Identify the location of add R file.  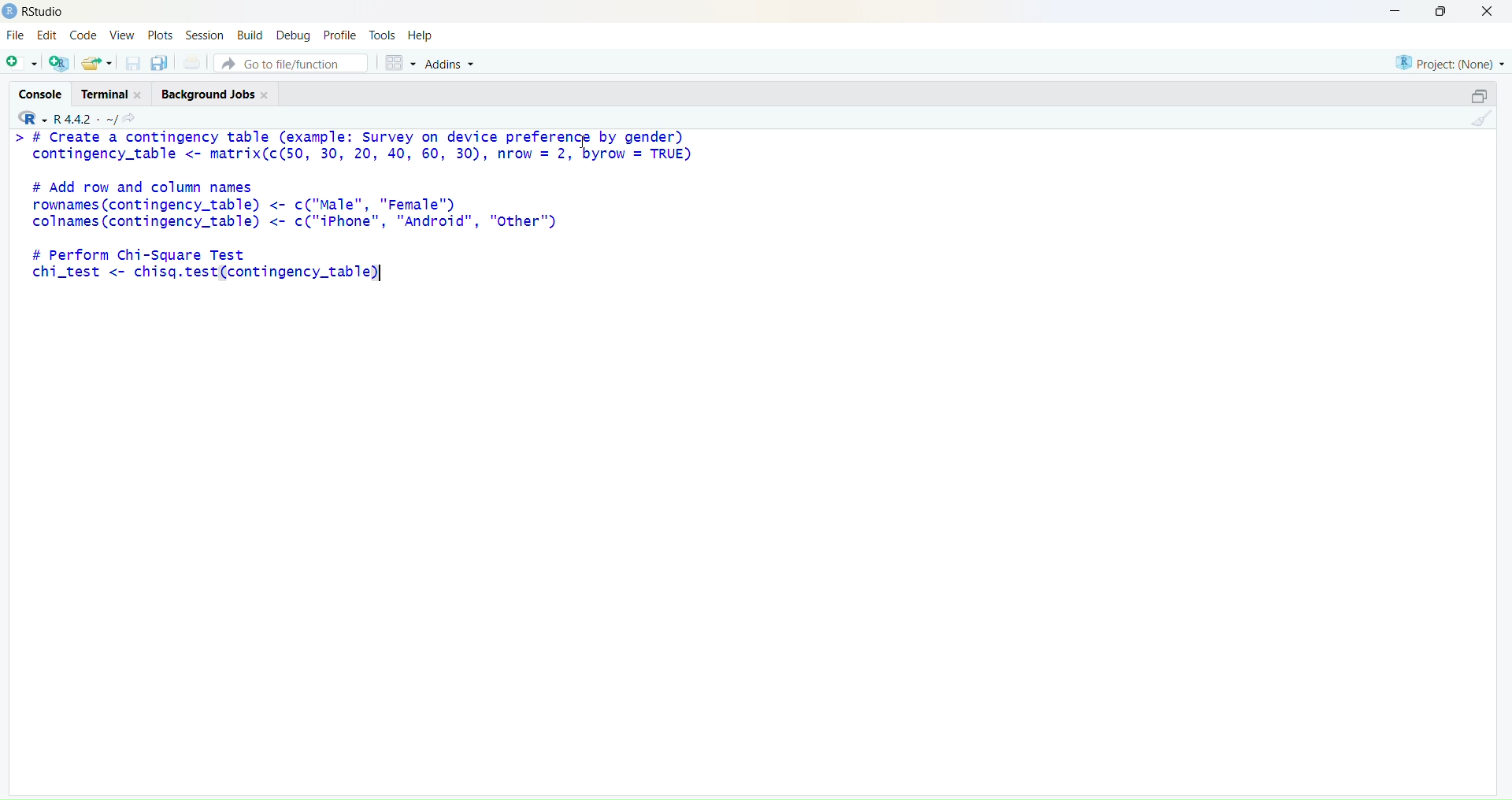
(60, 63).